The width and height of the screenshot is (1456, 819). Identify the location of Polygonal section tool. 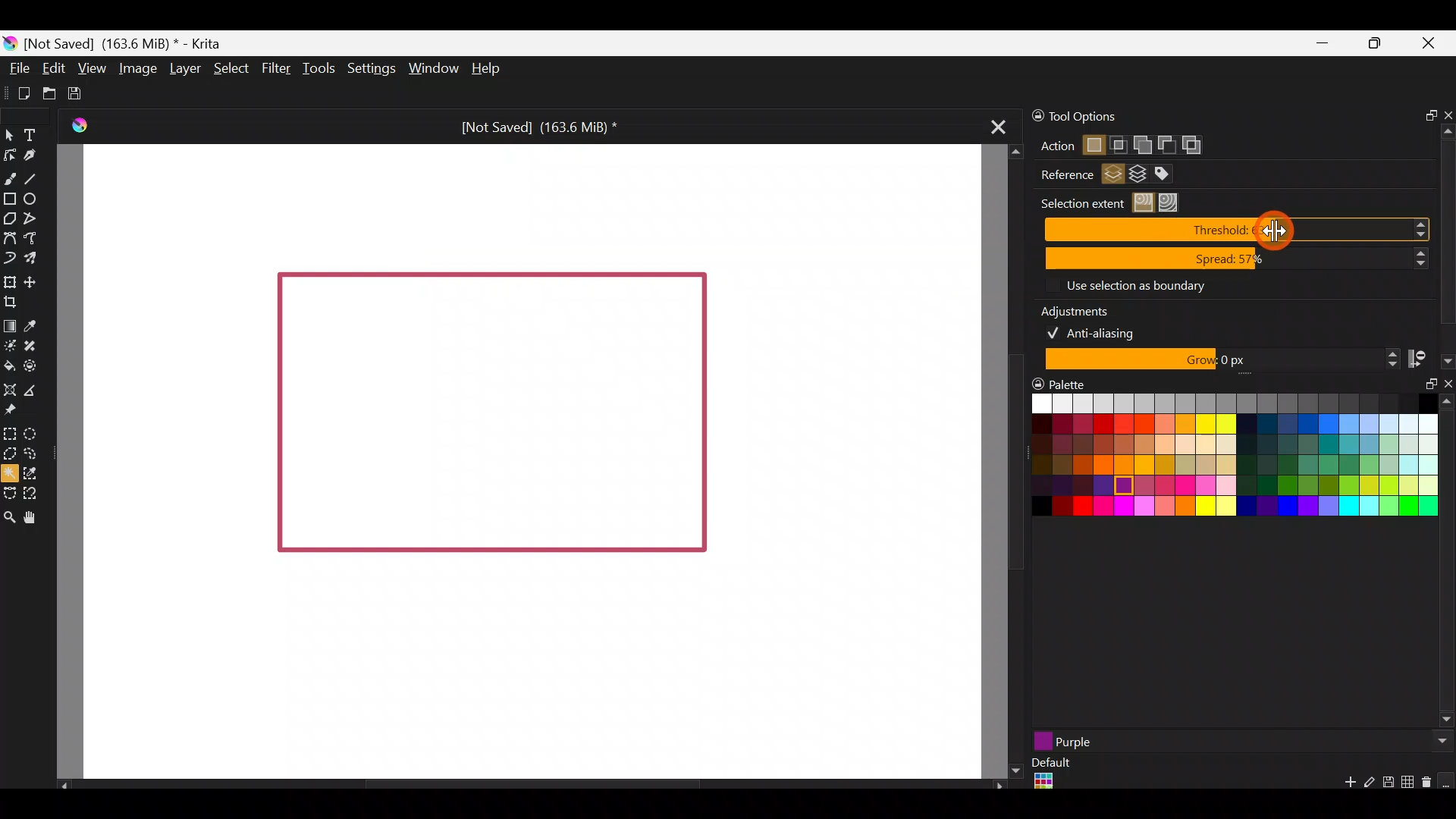
(10, 454).